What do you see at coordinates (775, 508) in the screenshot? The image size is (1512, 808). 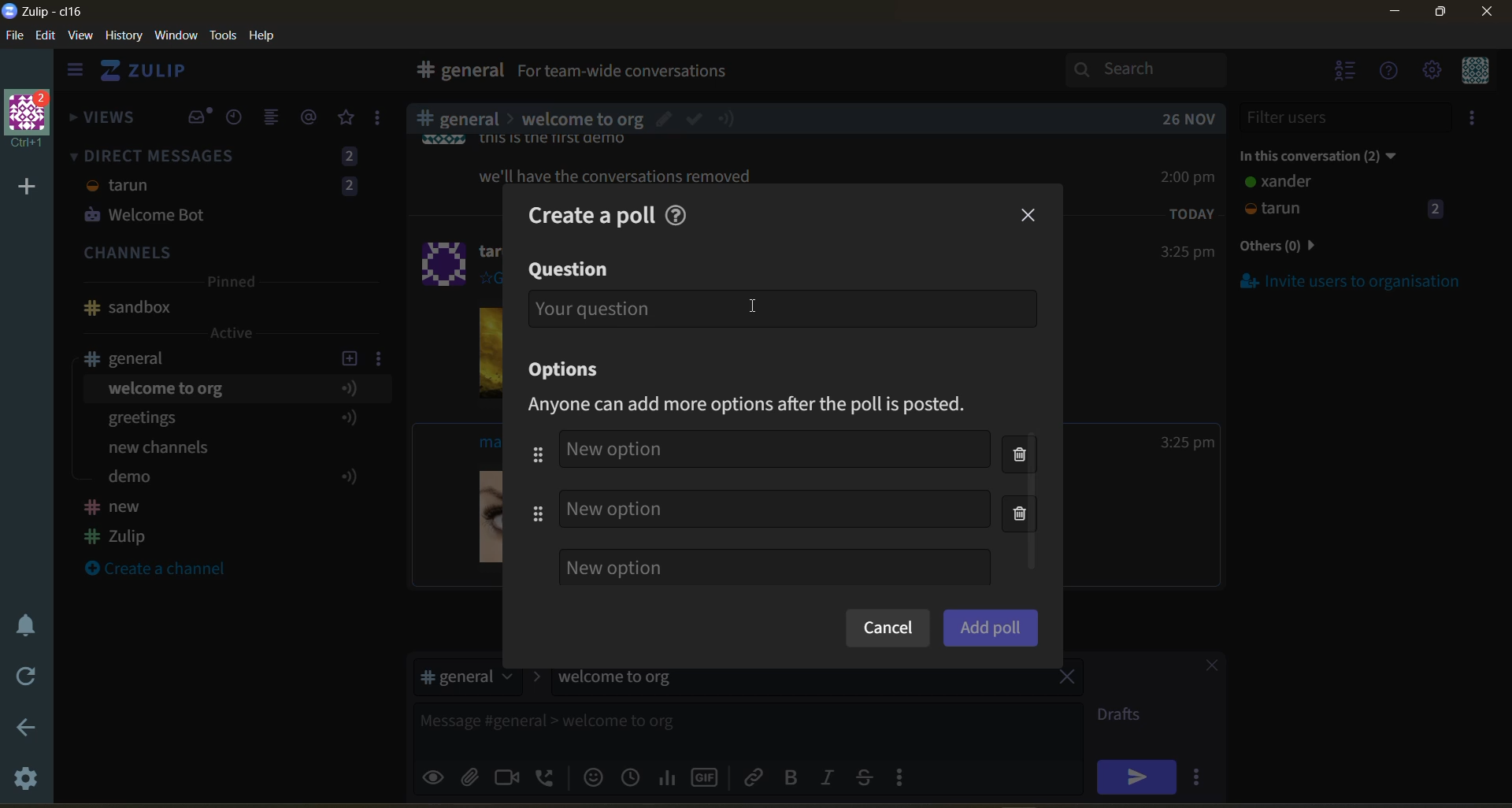 I see `new option` at bounding box center [775, 508].